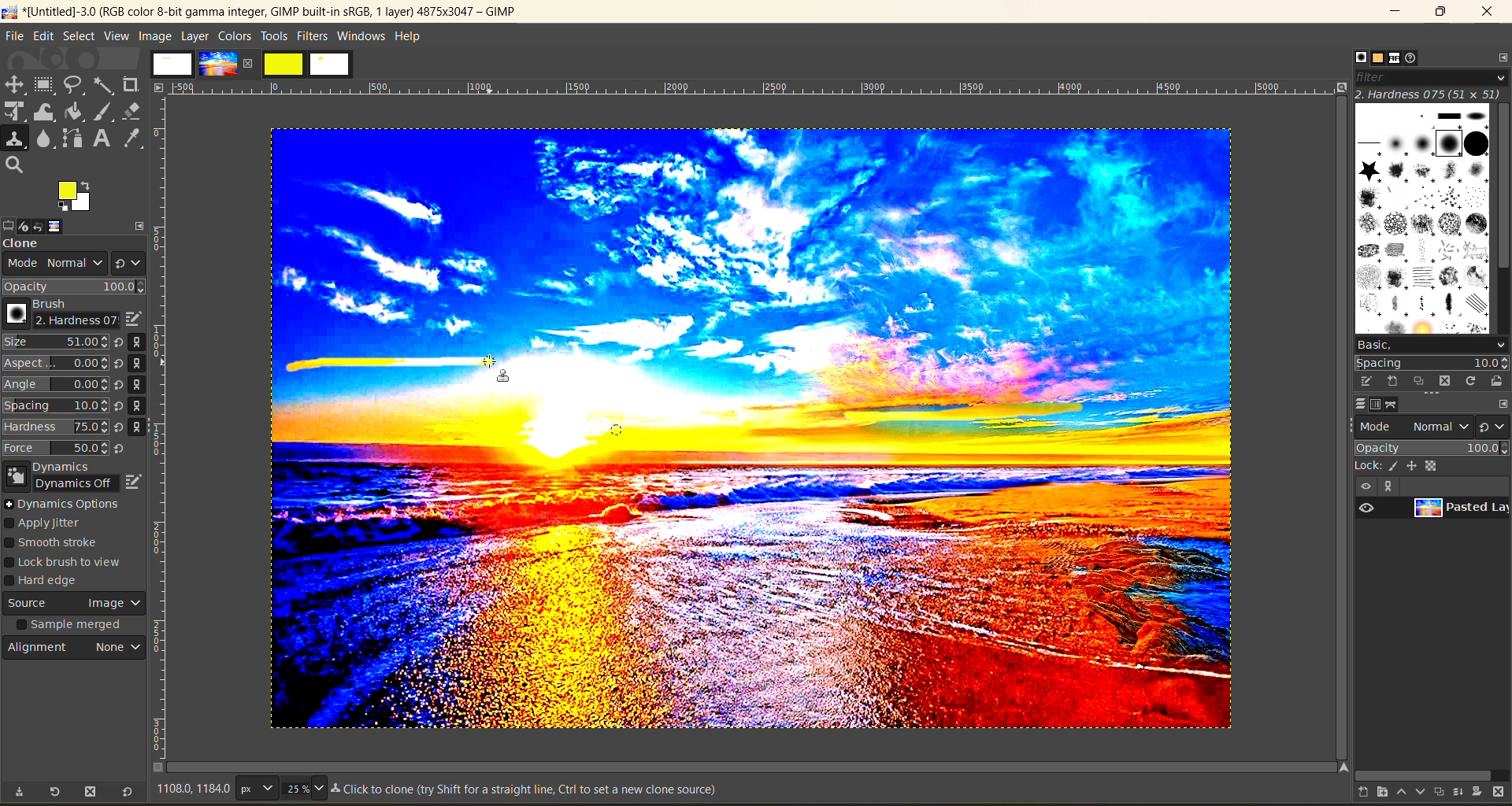 The image size is (1512, 806). What do you see at coordinates (55, 791) in the screenshot?
I see `reset tool preset` at bounding box center [55, 791].